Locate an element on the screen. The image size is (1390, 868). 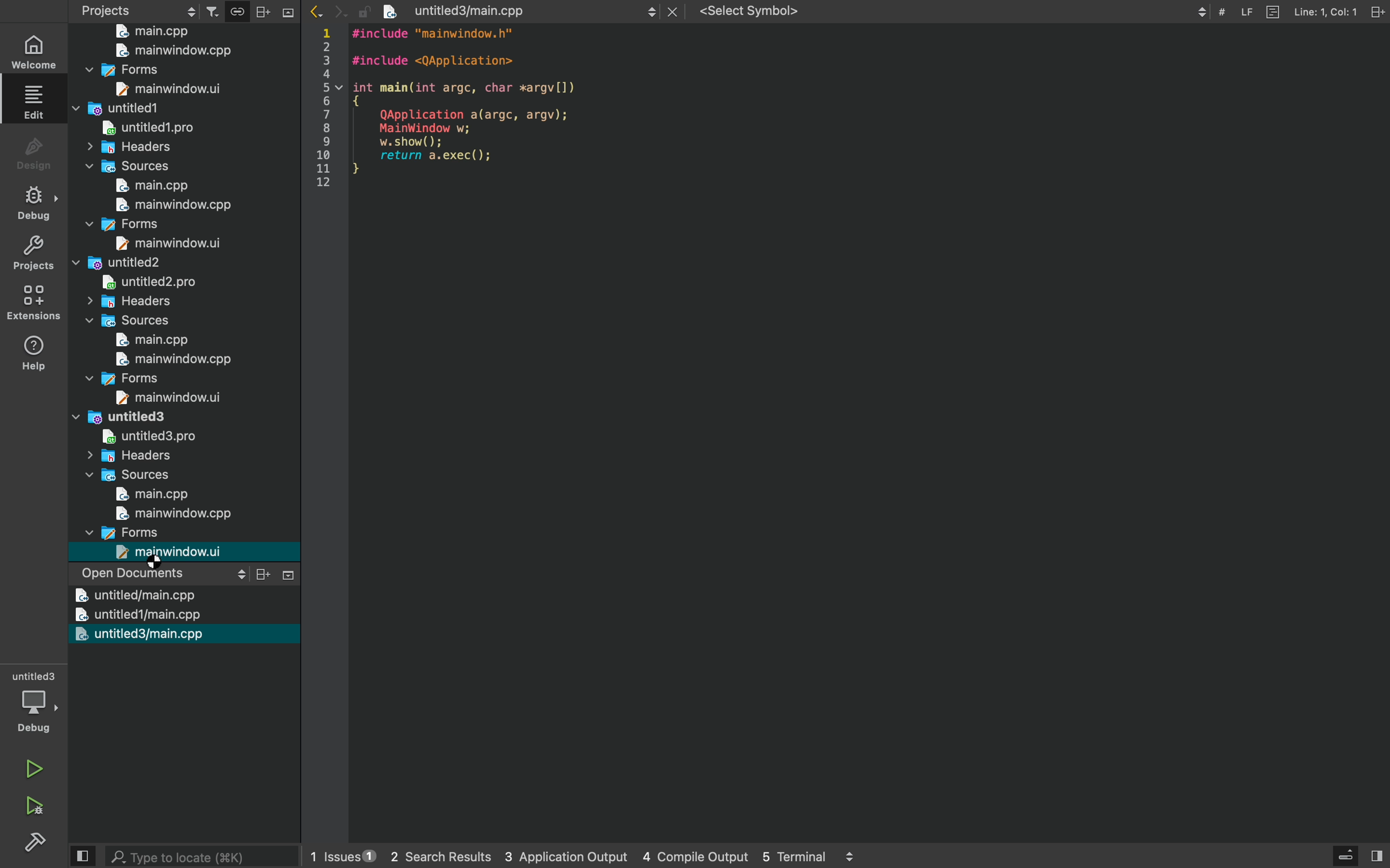
edit is located at coordinates (36, 101).